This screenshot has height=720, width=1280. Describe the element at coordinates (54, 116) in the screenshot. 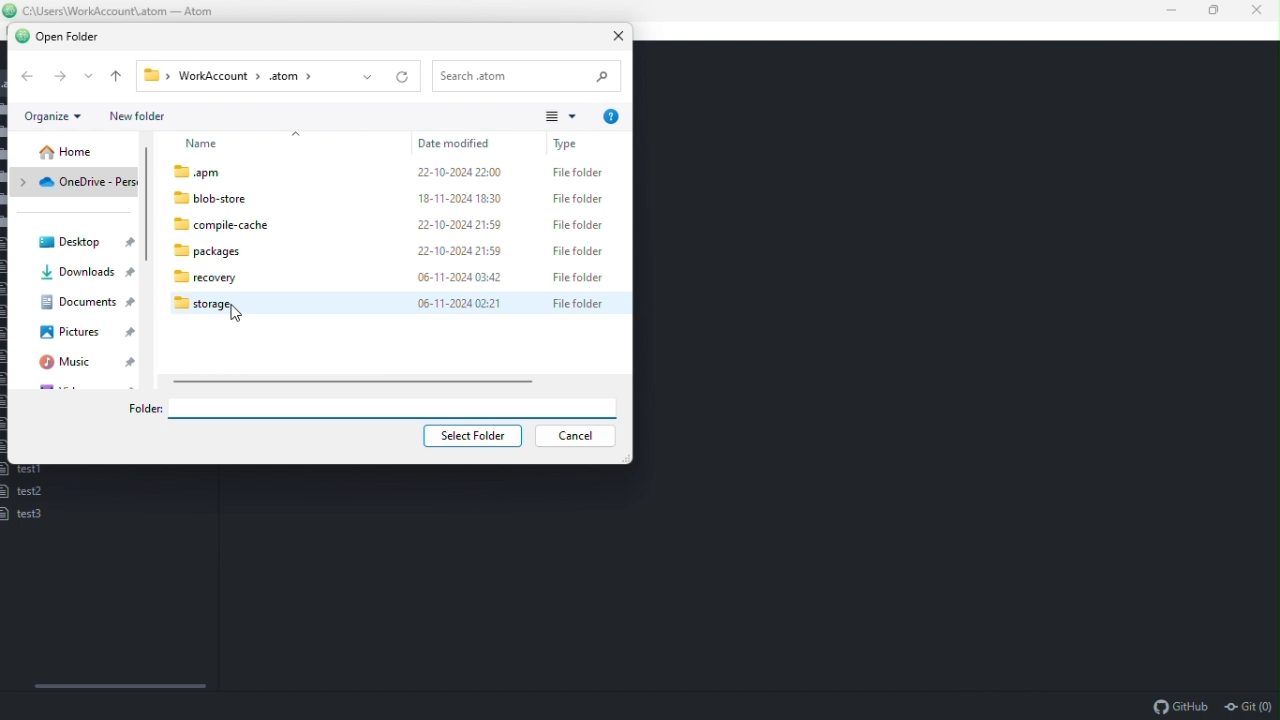

I see `Organise` at that location.